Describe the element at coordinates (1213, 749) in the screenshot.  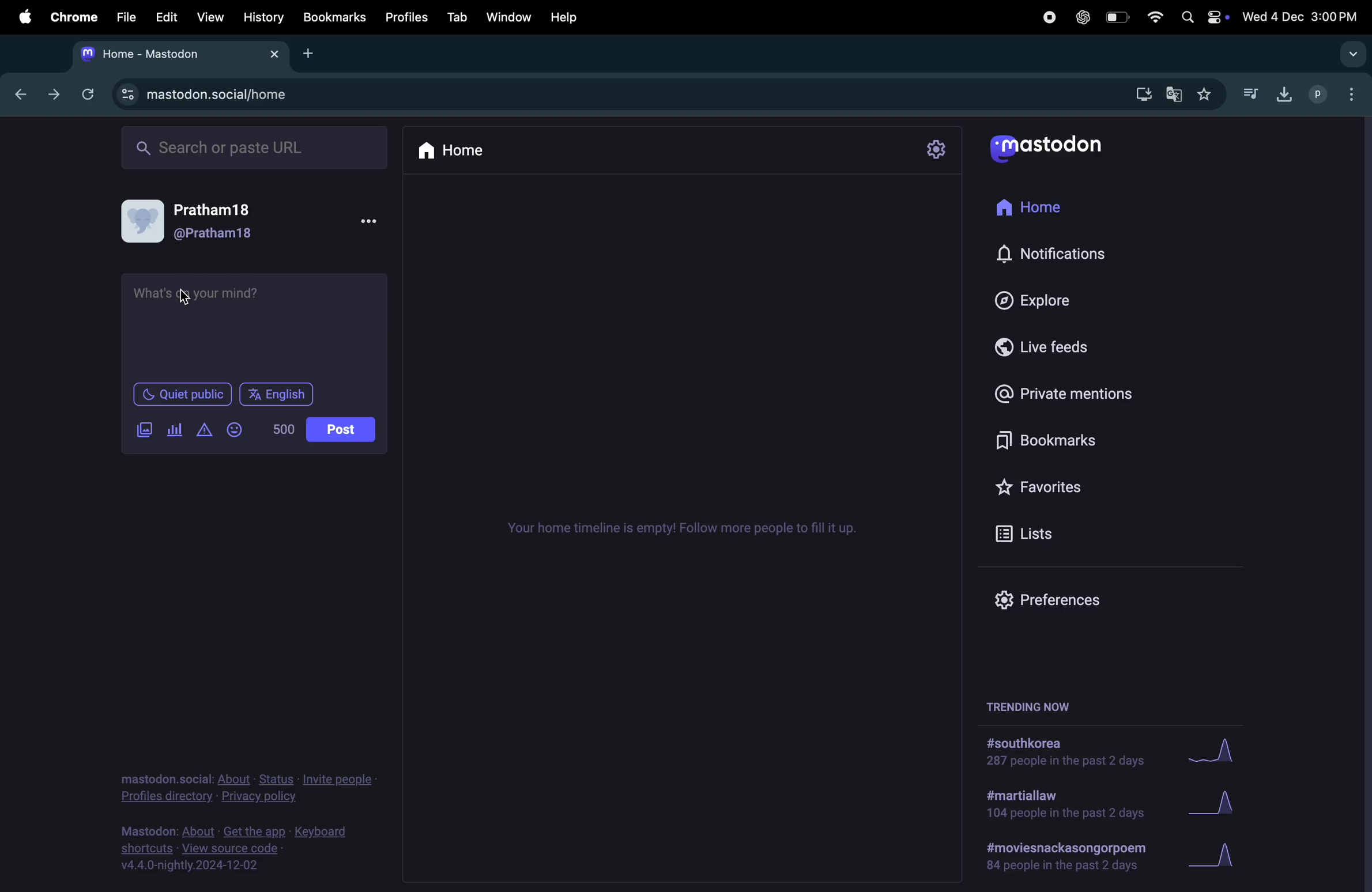
I see `graph` at that location.